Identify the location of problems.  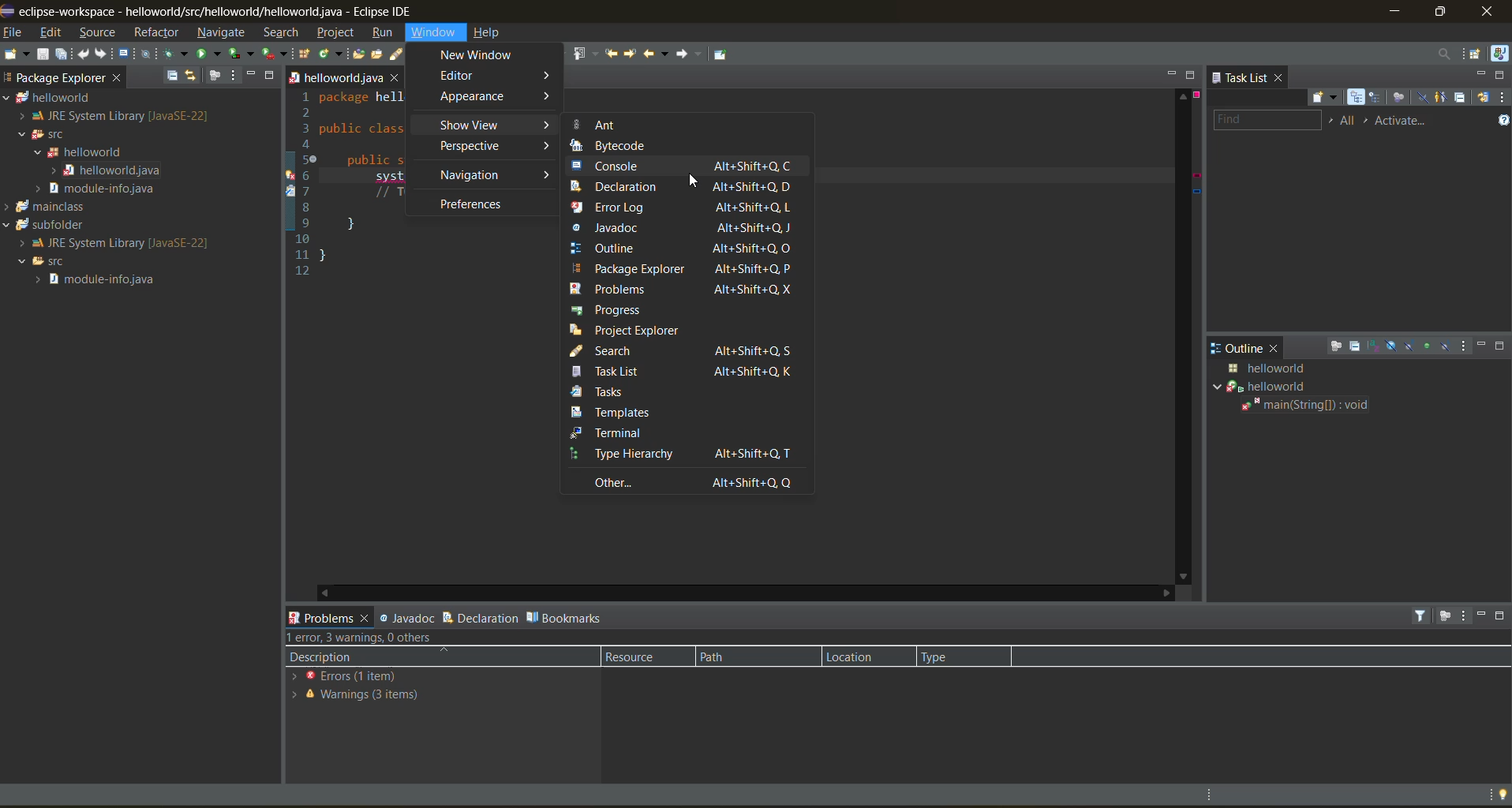
(326, 618).